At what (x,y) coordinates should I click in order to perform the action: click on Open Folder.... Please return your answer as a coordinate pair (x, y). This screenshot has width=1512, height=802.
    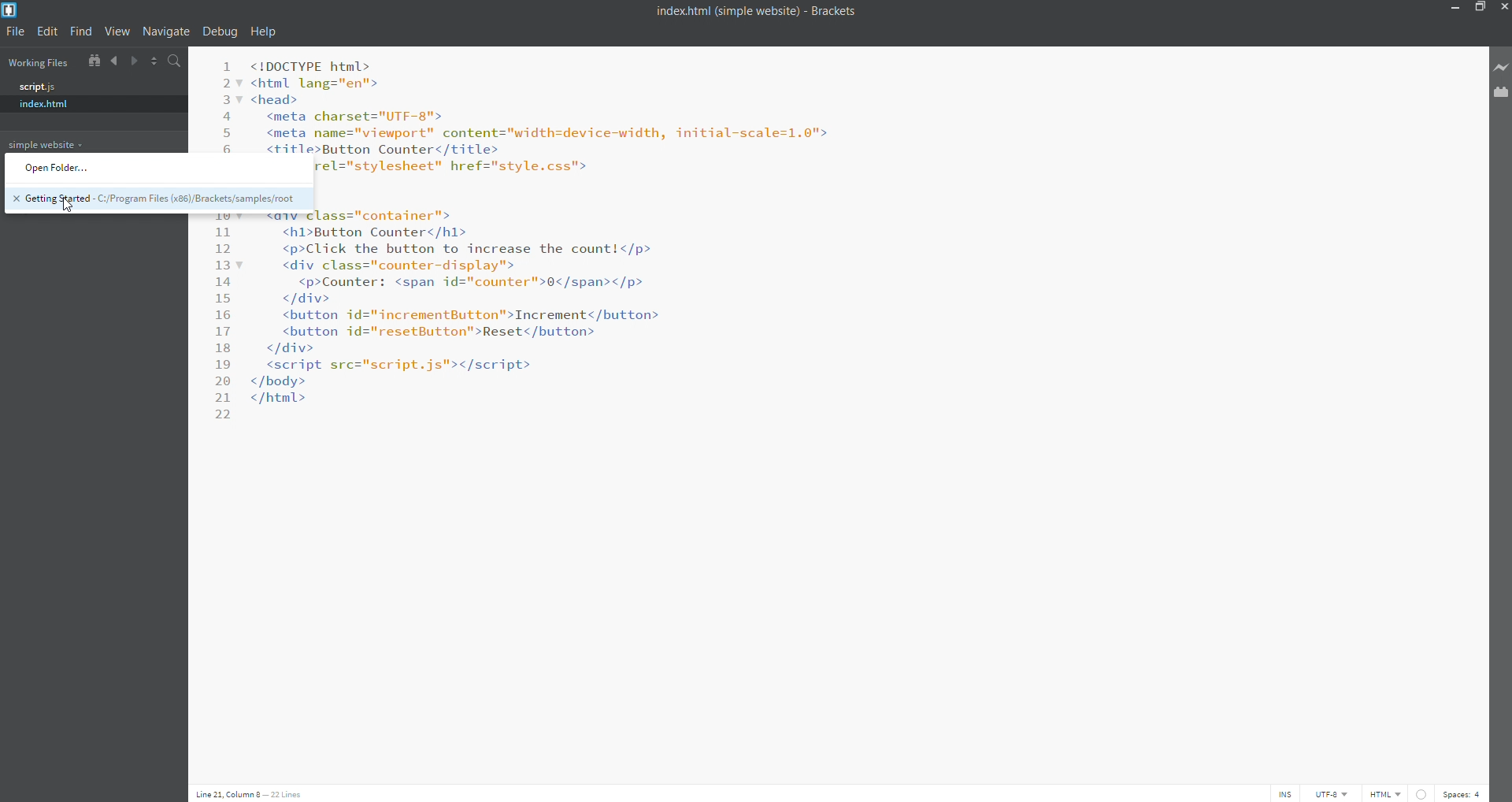
    Looking at the image, I should click on (153, 169).